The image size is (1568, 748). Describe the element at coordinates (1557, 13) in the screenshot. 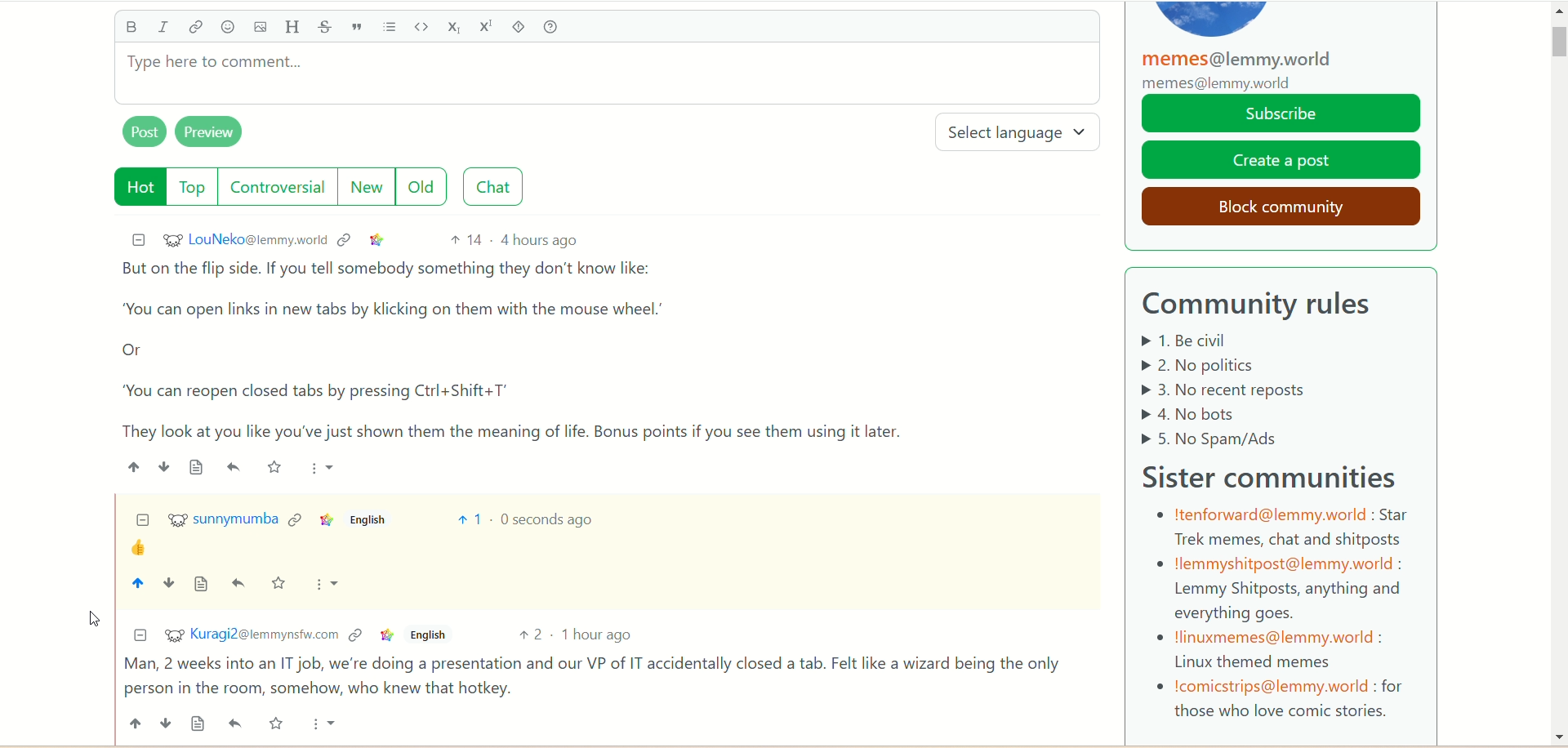

I see `Scroll up arrow` at that location.